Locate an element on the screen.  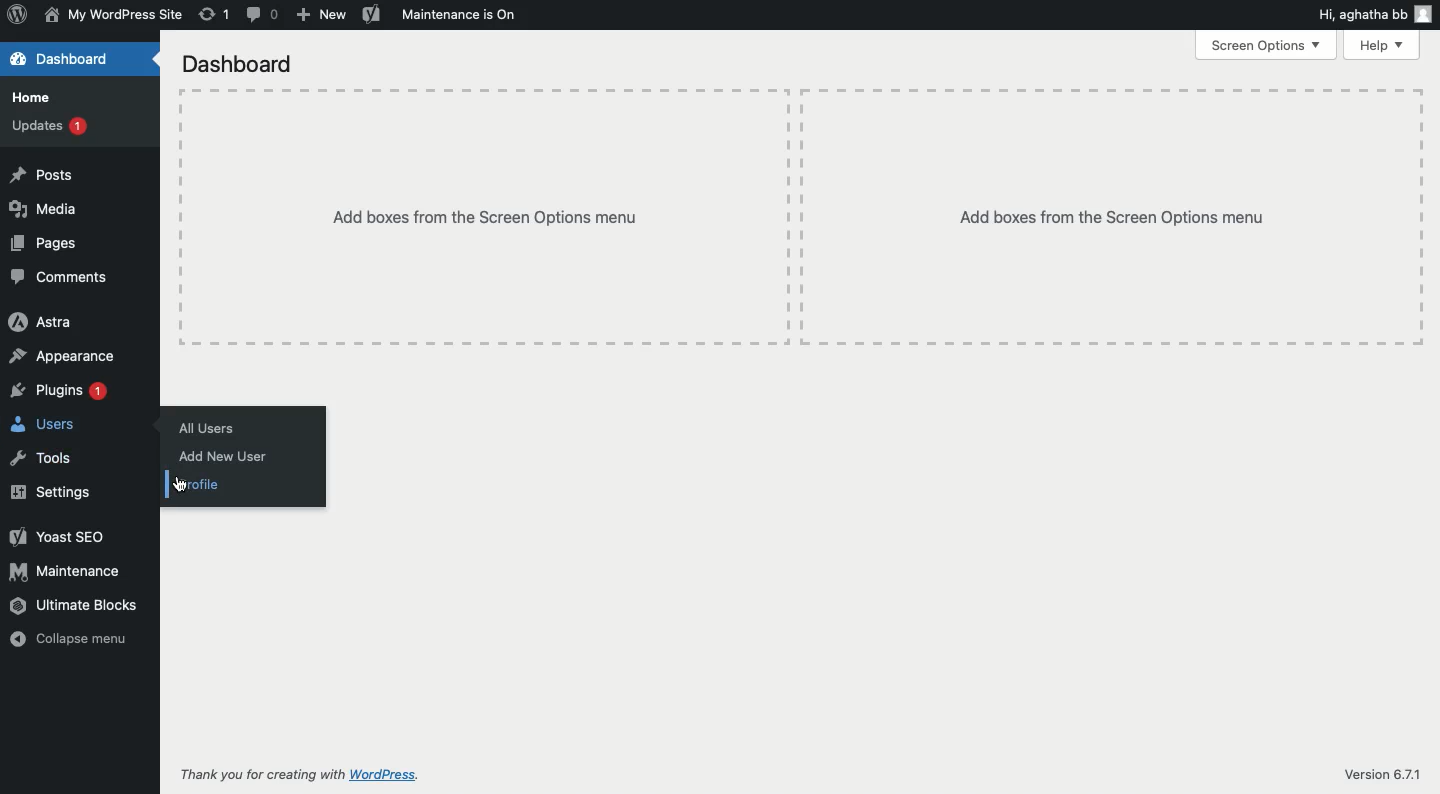
All users is located at coordinates (211, 428).